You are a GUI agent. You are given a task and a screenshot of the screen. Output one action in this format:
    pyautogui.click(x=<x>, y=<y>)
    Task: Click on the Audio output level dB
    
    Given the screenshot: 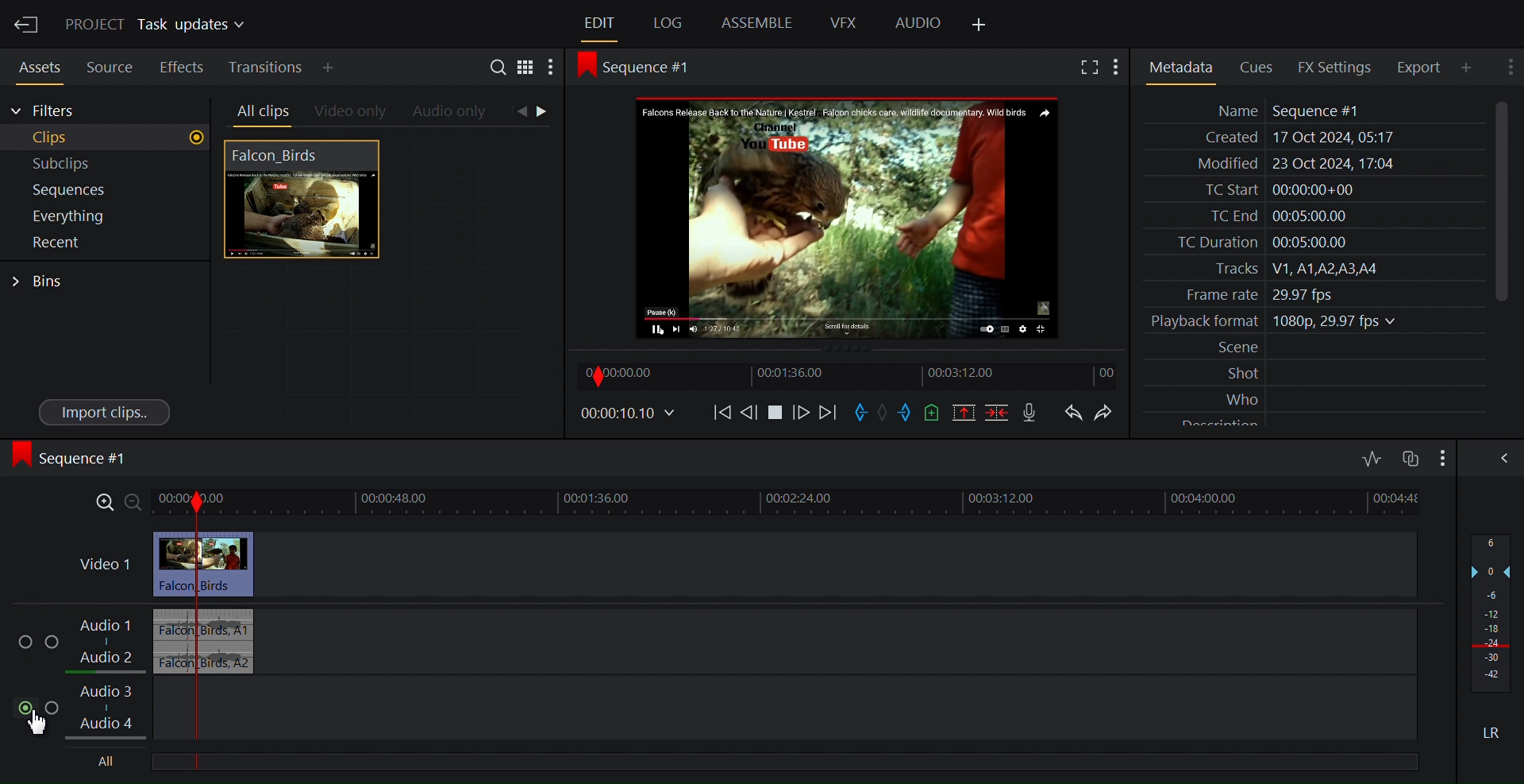 What is the action you would take?
    pyautogui.click(x=1492, y=613)
    